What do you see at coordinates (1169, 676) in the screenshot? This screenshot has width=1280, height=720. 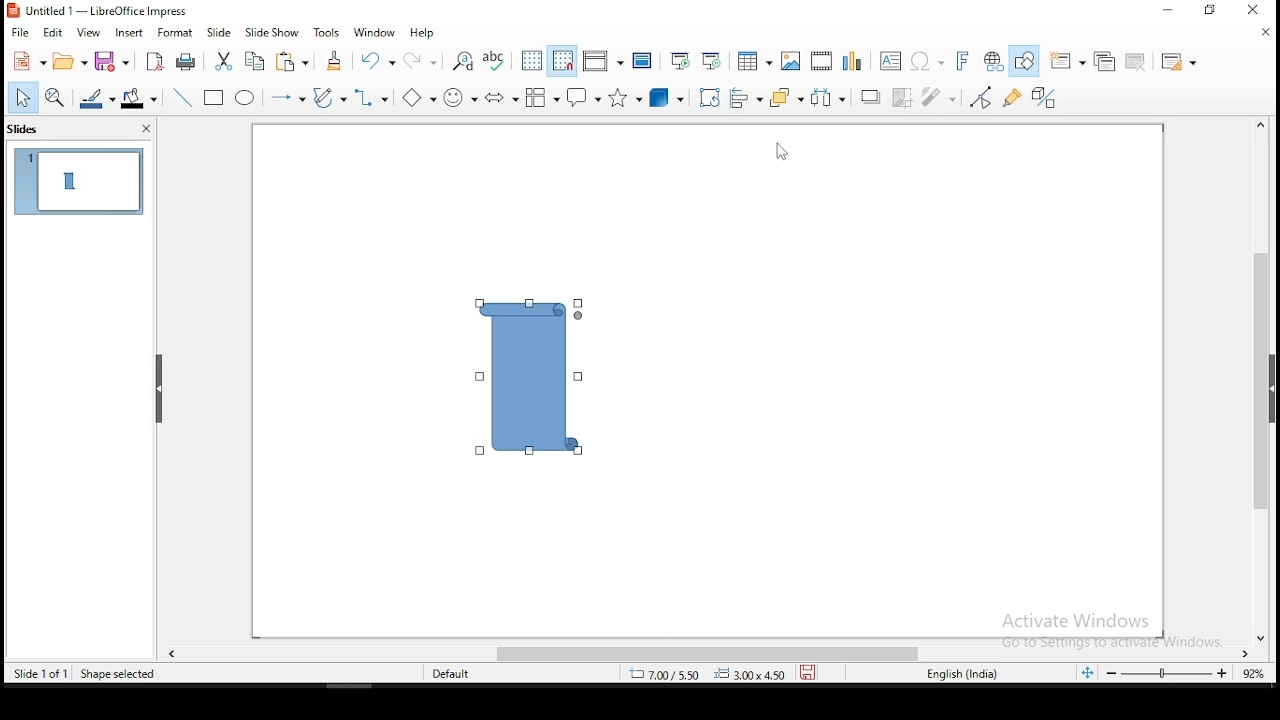 I see `zoom slider` at bounding box center [1169, 676].